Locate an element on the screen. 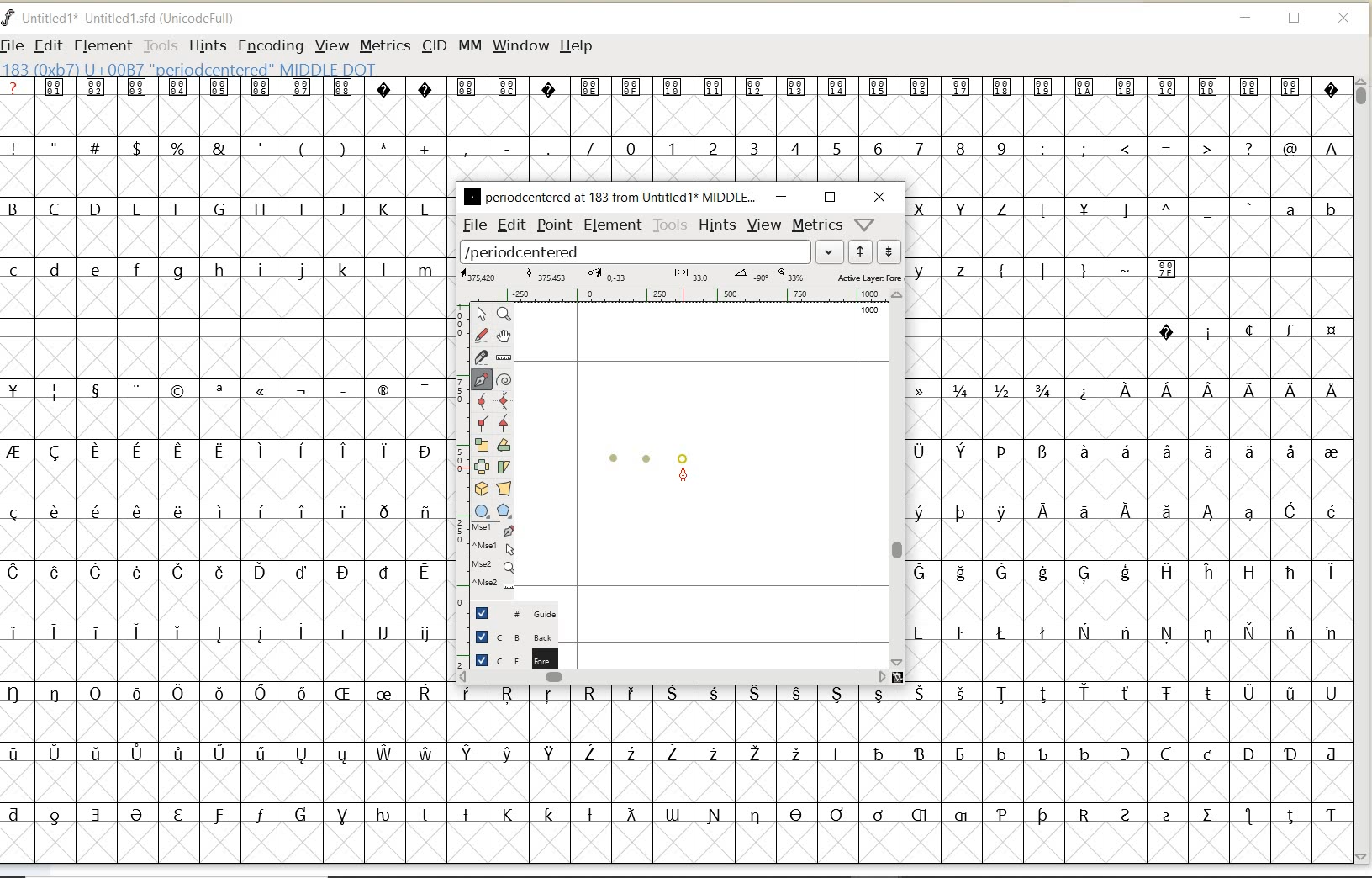 The image size is (1372, 878). Add a corner point is located at coordinates (481, 422).